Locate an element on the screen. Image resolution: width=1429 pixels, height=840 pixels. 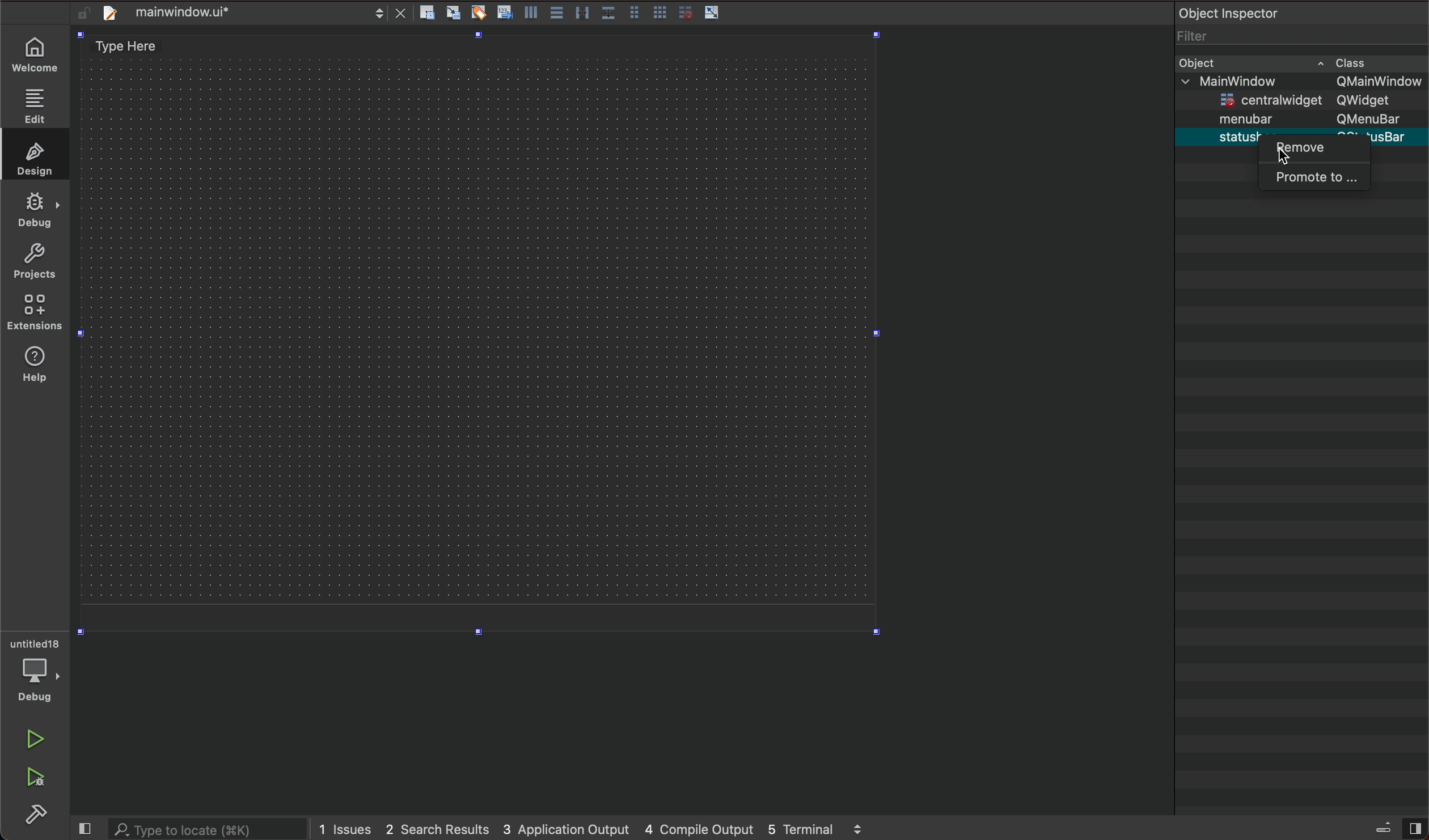
projects is located at coordinates (33, 266).